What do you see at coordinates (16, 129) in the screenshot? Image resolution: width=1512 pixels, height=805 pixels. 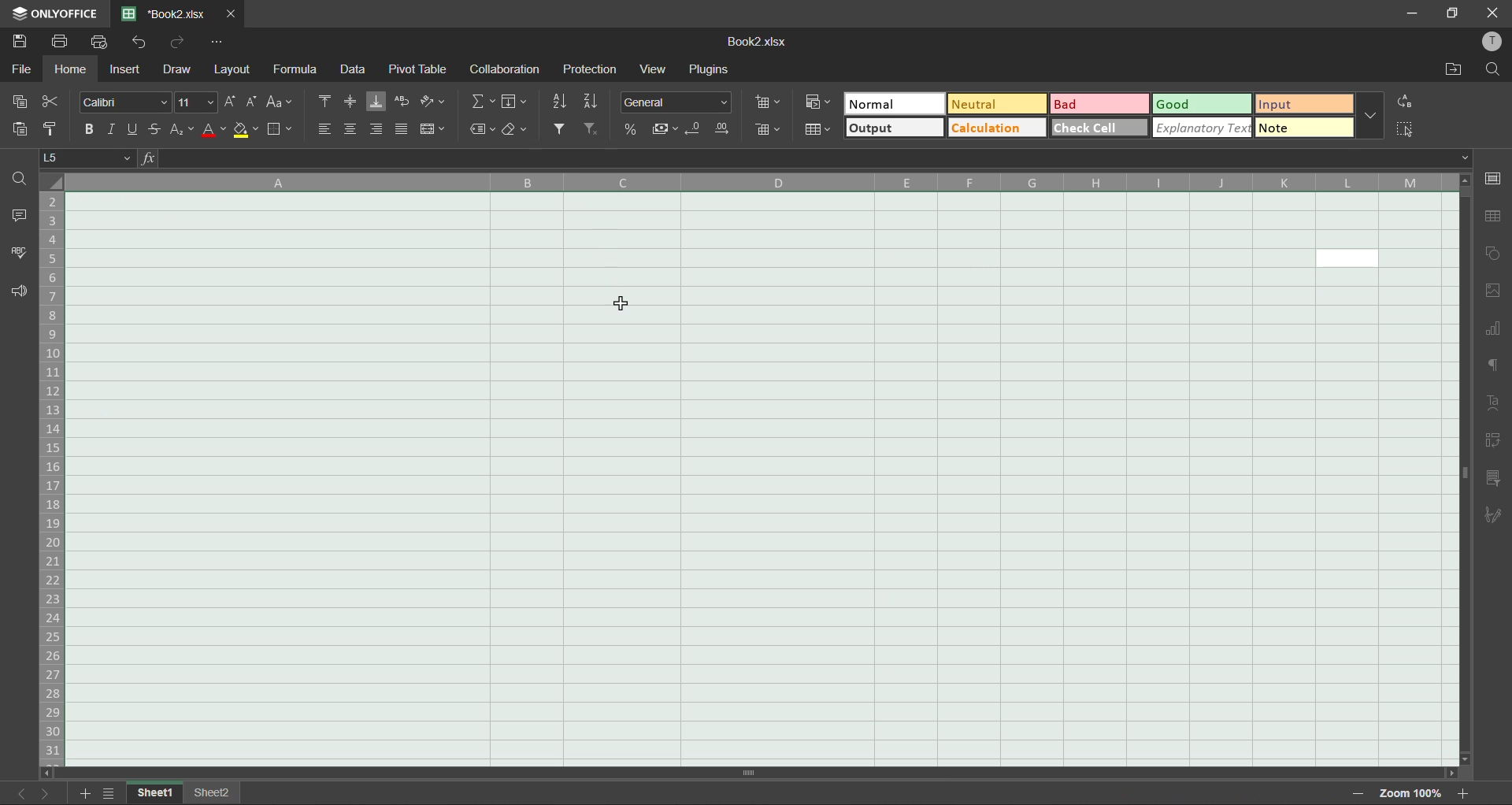 I see `paste` at bounding box center [16, 129].